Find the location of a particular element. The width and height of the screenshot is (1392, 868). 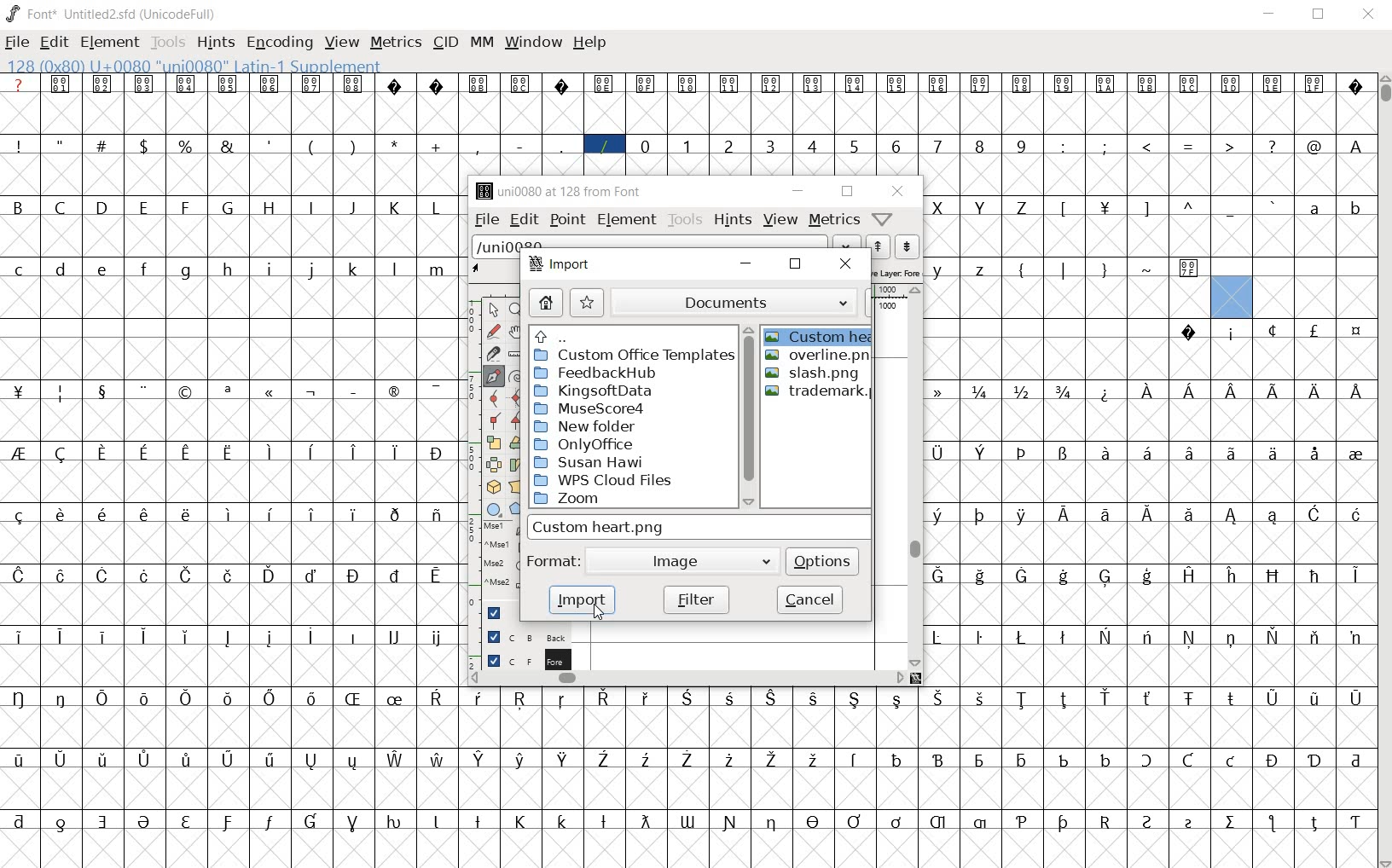

glyph is located at coordinates (979, 638).